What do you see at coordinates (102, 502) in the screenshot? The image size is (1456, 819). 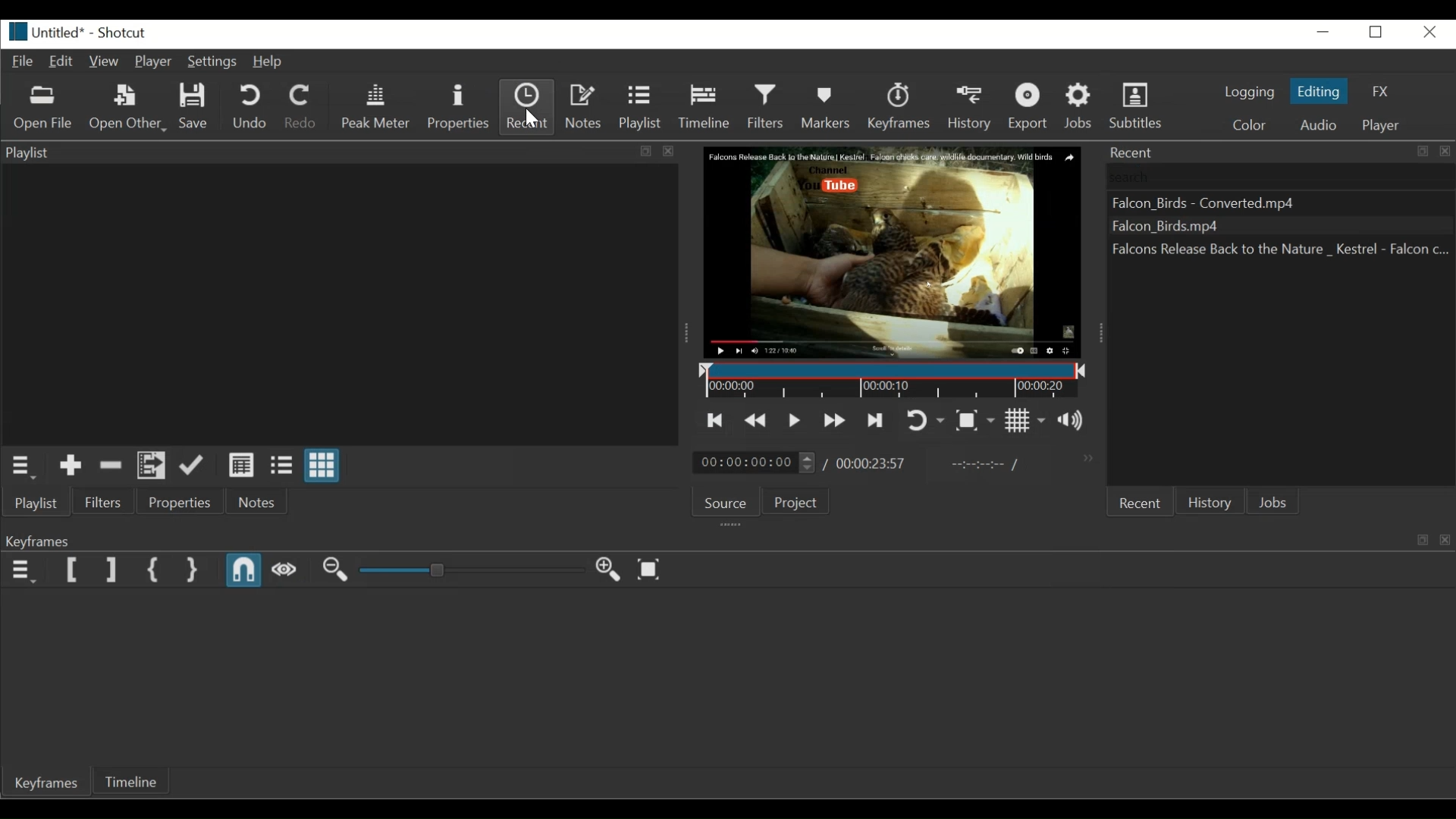 I see `Filters` at bounding box center [102, 502].